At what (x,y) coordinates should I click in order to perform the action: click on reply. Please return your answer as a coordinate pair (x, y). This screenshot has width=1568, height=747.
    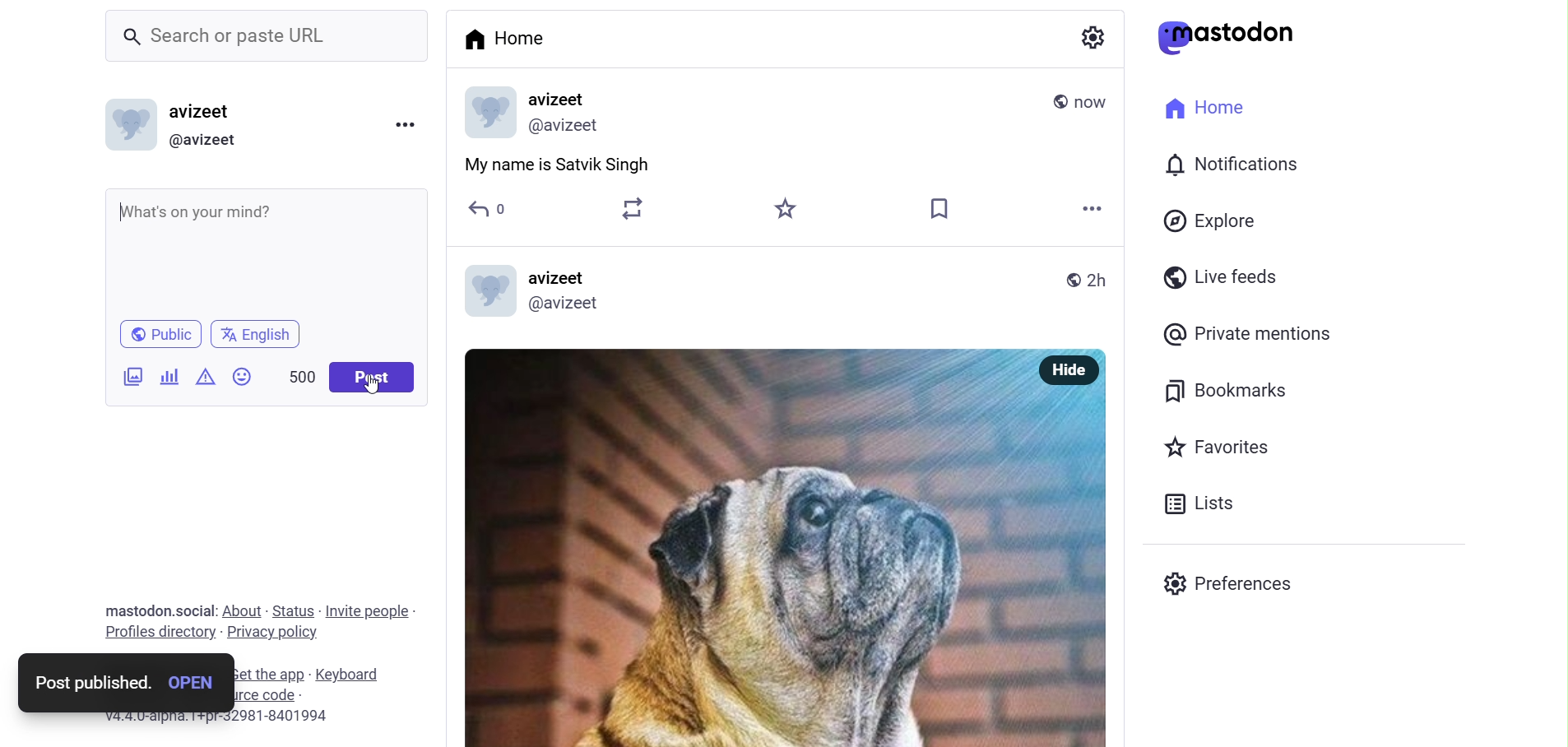
    Looking at the image, I should click on (492, 211).